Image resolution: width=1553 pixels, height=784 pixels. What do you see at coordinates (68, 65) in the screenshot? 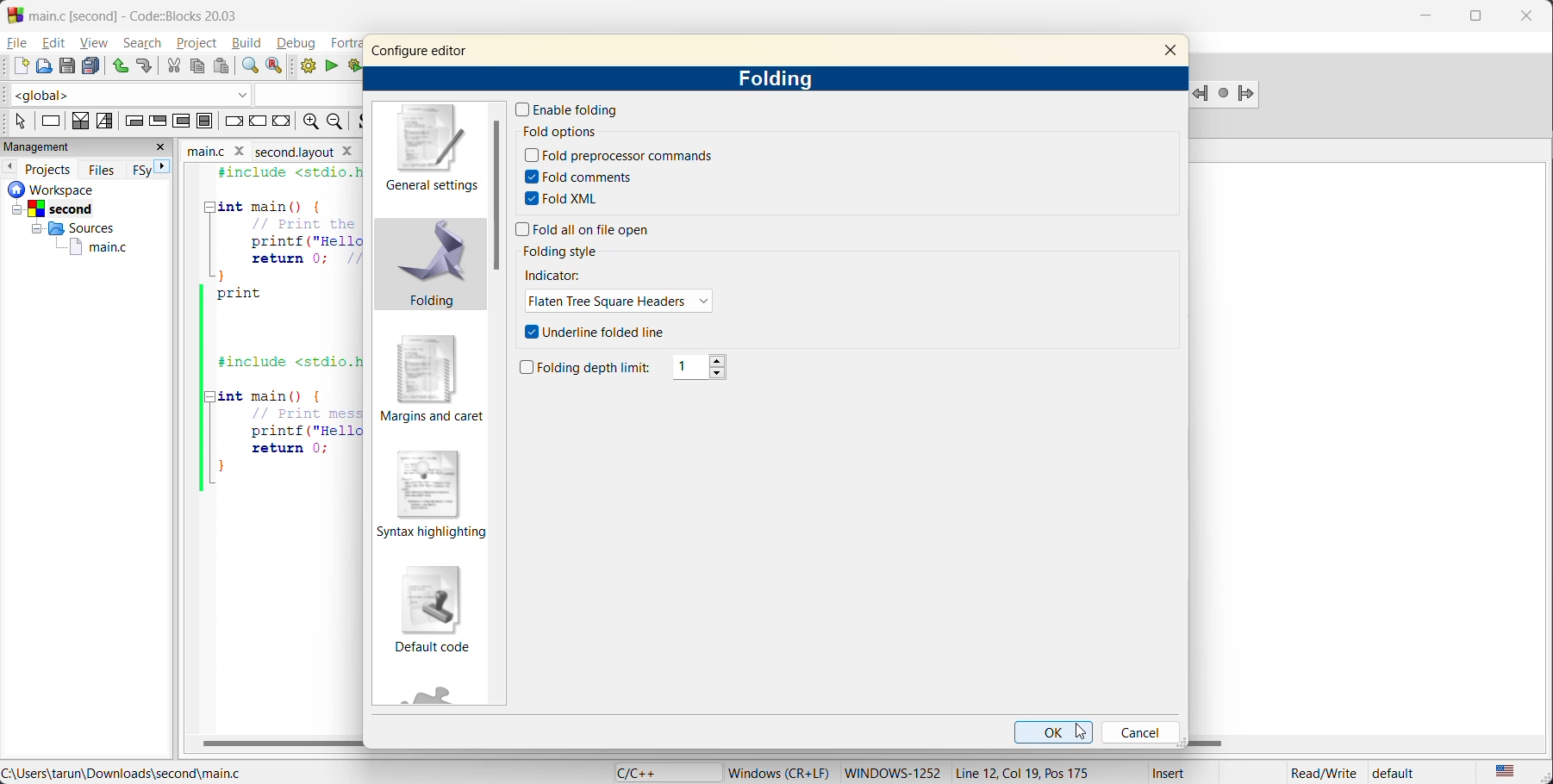
I see `save` at bounding box center [68, 65].